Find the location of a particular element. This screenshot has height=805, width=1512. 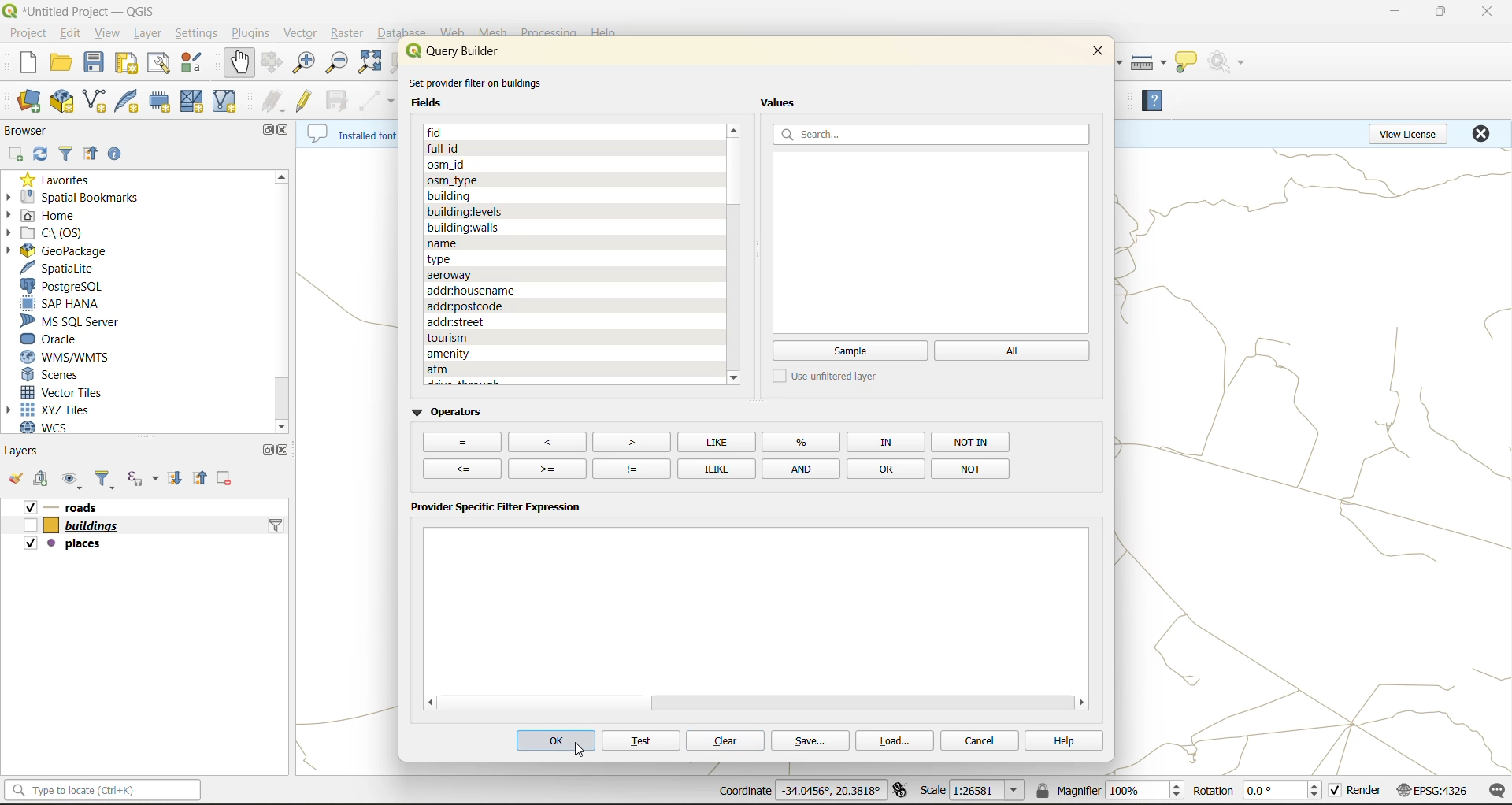

fields is located at coordinates (453, 195).